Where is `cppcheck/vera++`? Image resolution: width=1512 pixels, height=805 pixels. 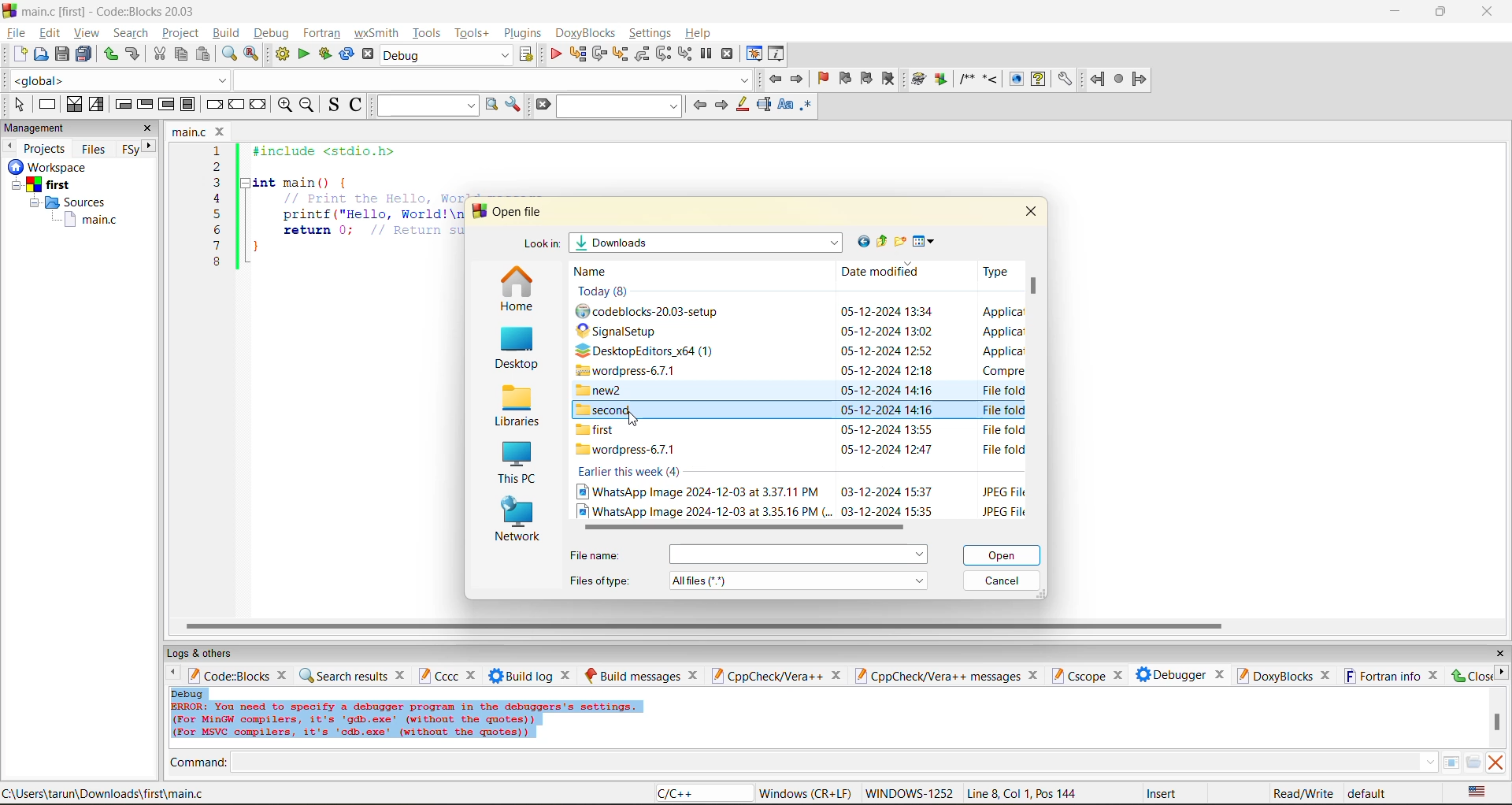
cppcheck/vera++ is located at coordinates (765, 677).